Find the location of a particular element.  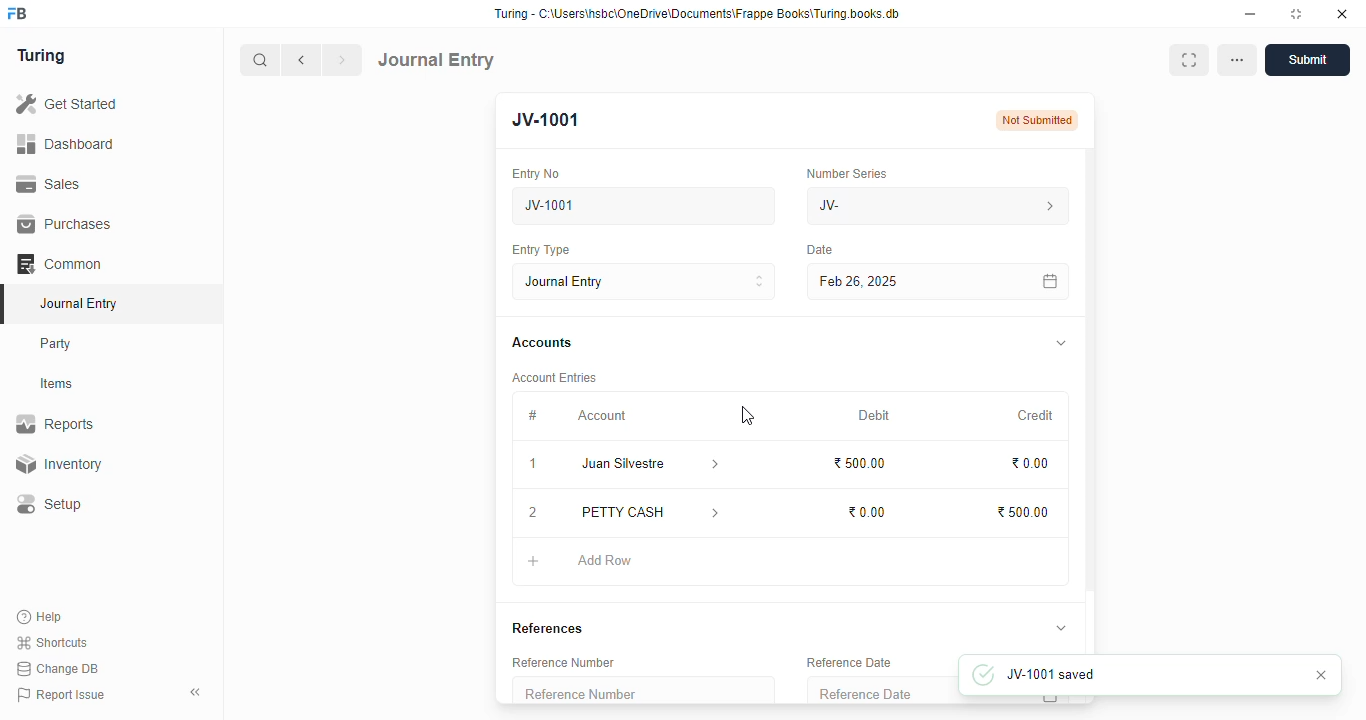

# is located at coordinates (533, 415).